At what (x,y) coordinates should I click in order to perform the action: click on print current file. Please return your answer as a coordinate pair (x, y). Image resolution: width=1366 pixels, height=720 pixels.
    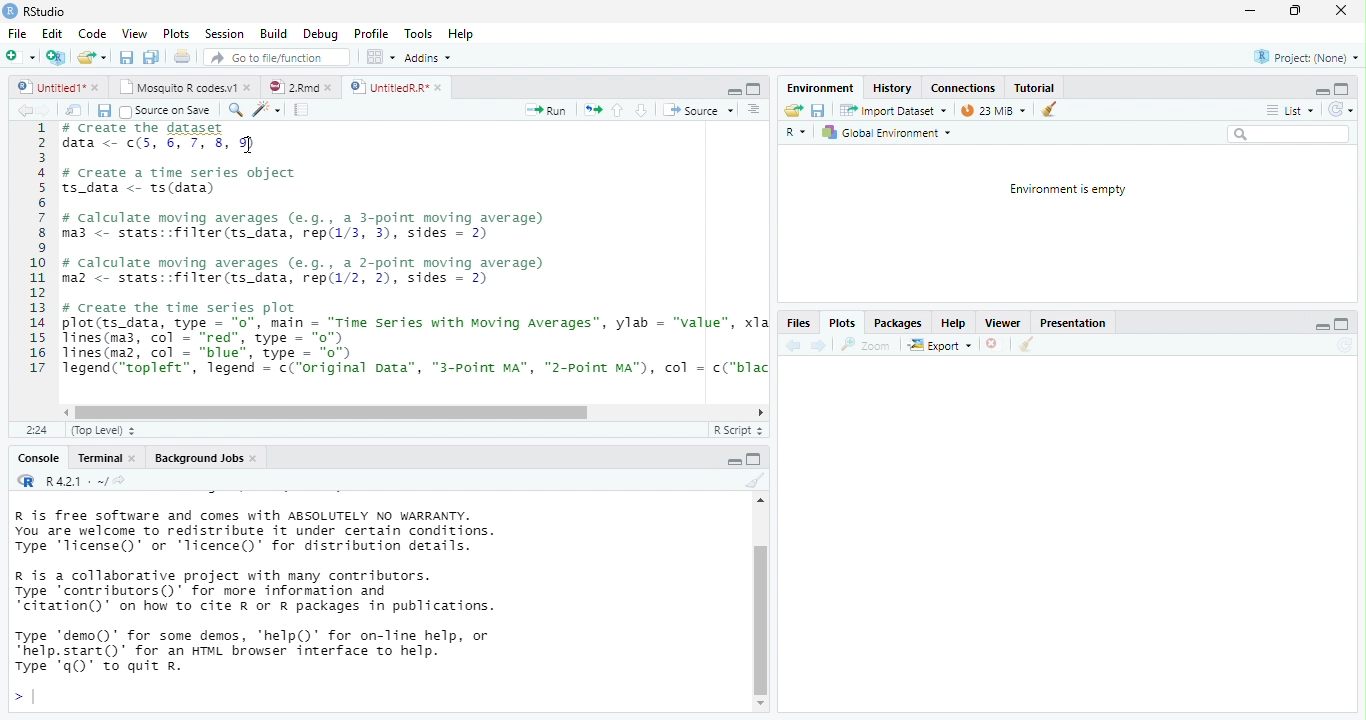
    Looking at the image, I should click on (183, 56).